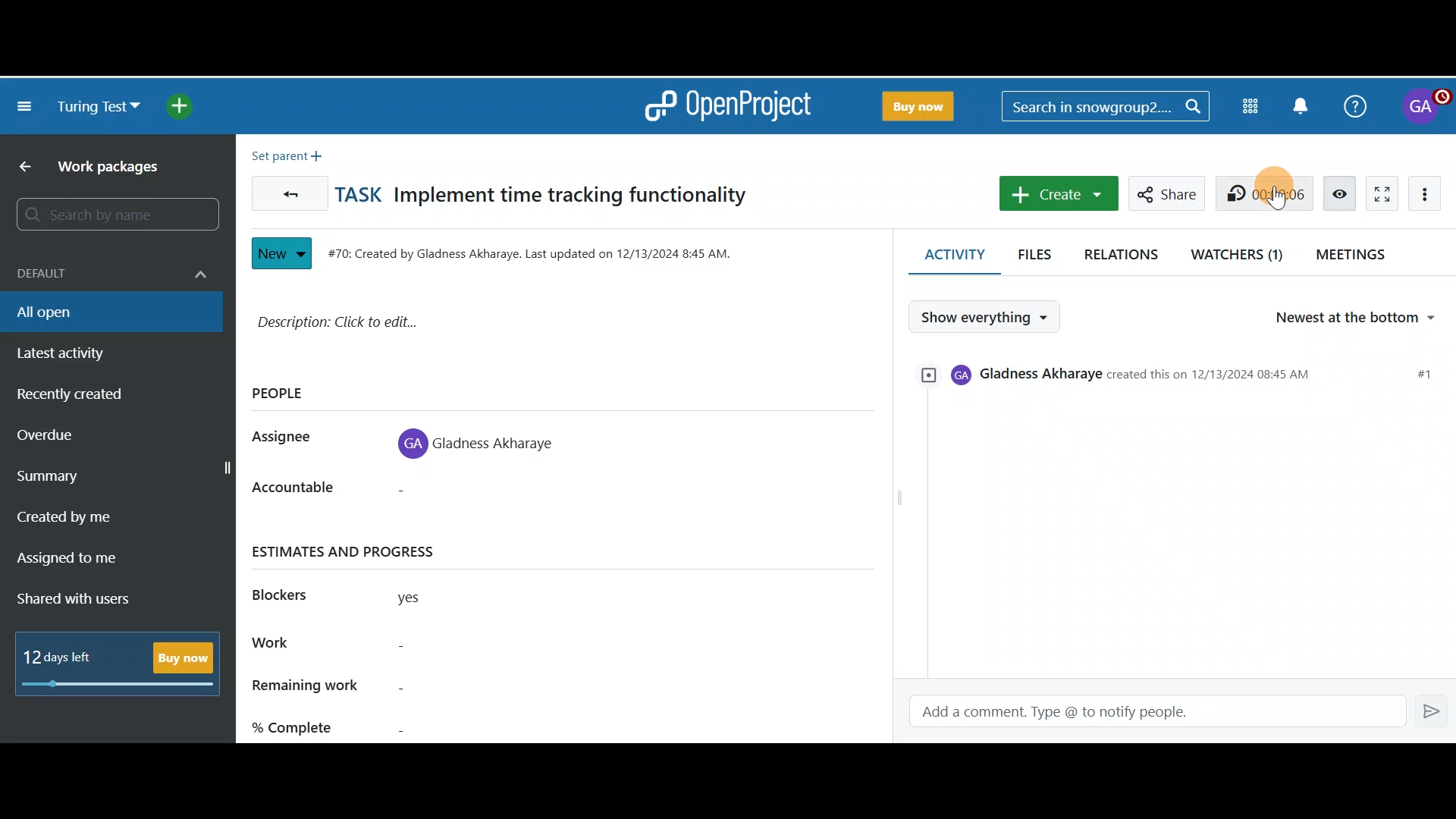  Describe the element at coordinates (290, 592) in the screenshot. I see `Blockers` at that location.